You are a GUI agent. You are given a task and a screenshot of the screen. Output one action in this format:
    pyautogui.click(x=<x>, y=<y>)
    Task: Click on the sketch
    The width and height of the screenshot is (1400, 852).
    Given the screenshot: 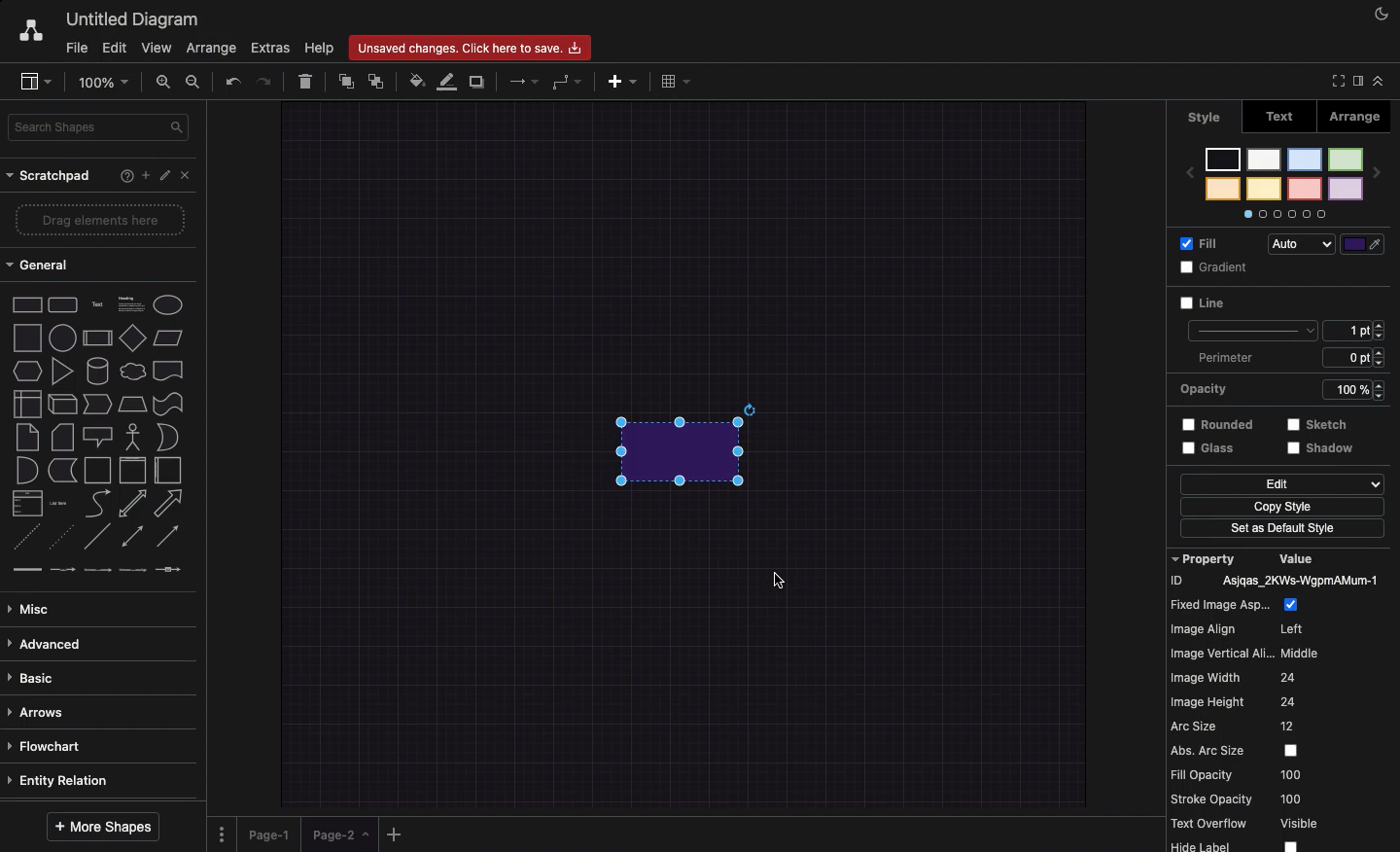 What is the action you would take?
    pyautogui.click(x=1318, y=423)
    